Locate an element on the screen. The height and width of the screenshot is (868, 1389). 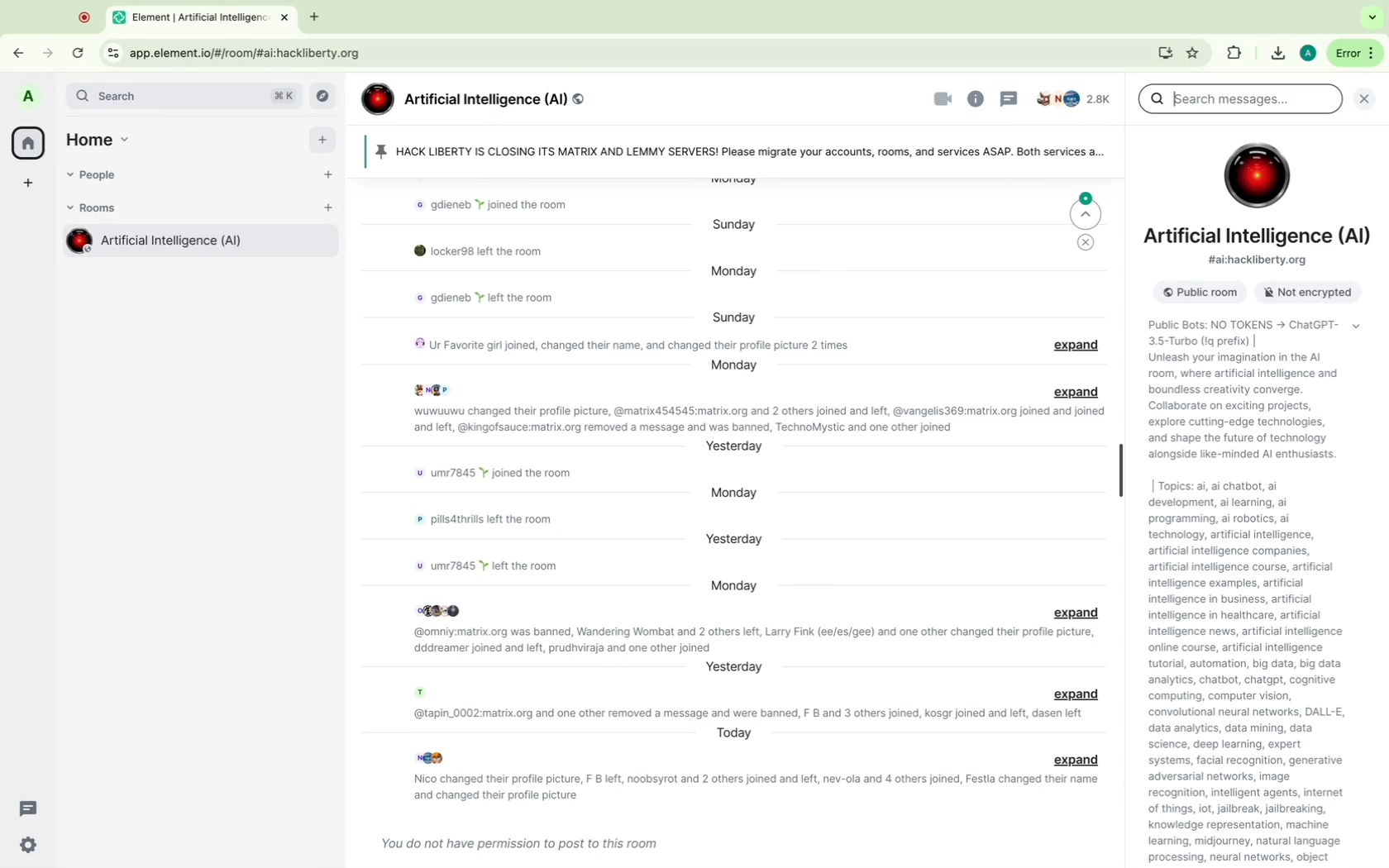
group name is located at coordinates (475, 100).